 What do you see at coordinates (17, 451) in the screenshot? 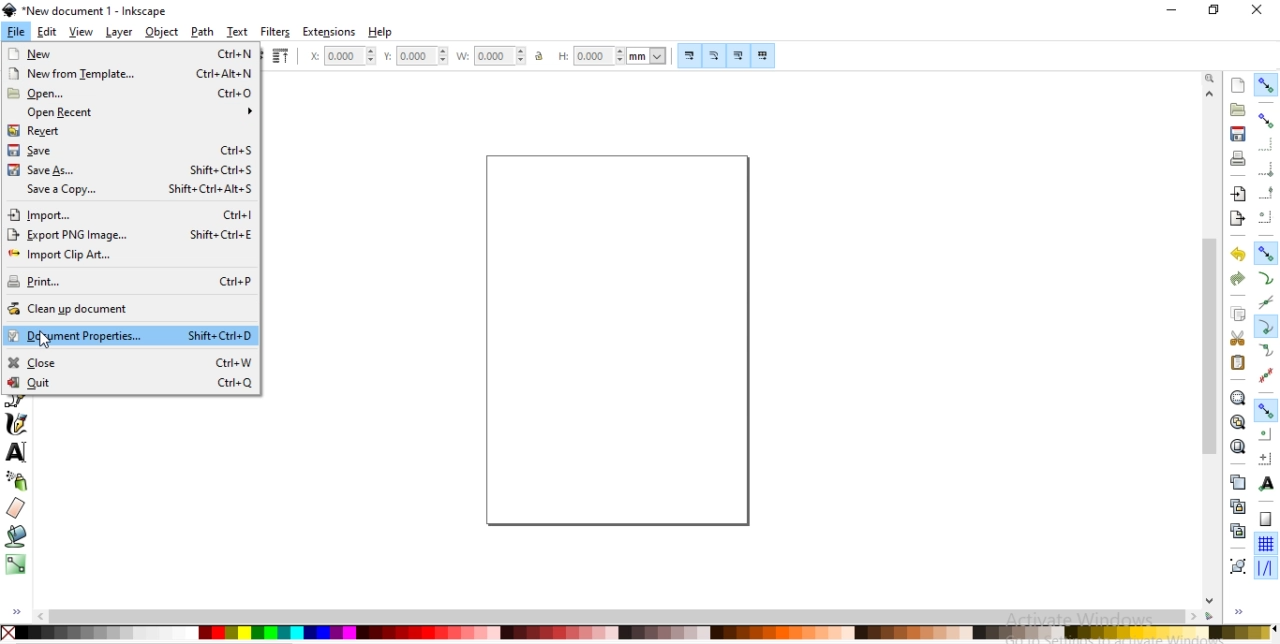
I see `create or edit text objects` at bounding box center [17, 451].